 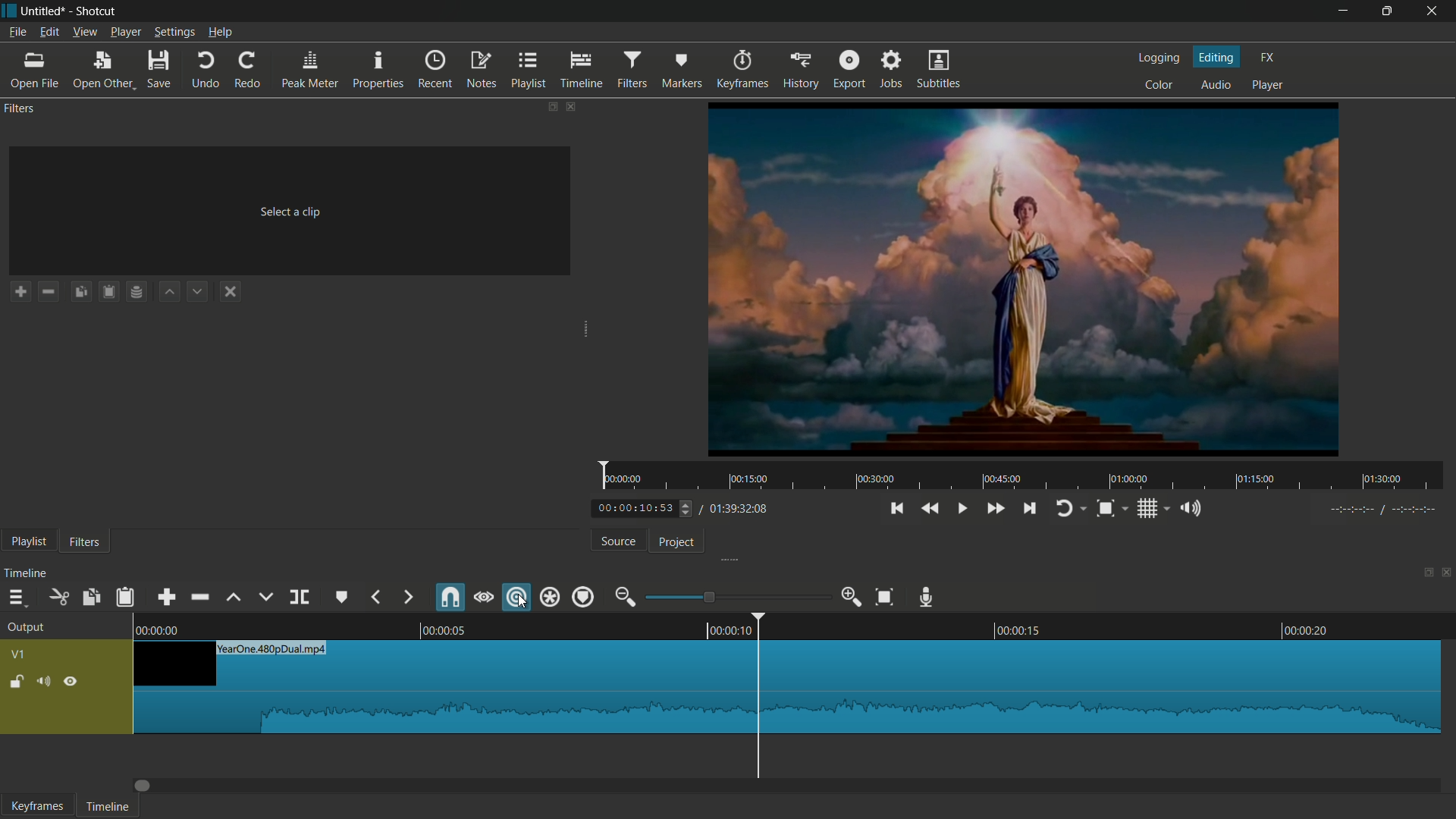 What do you see at coordinates (435, 70) in the screenshot?
I see `recent` at bounding box center [435, 70].